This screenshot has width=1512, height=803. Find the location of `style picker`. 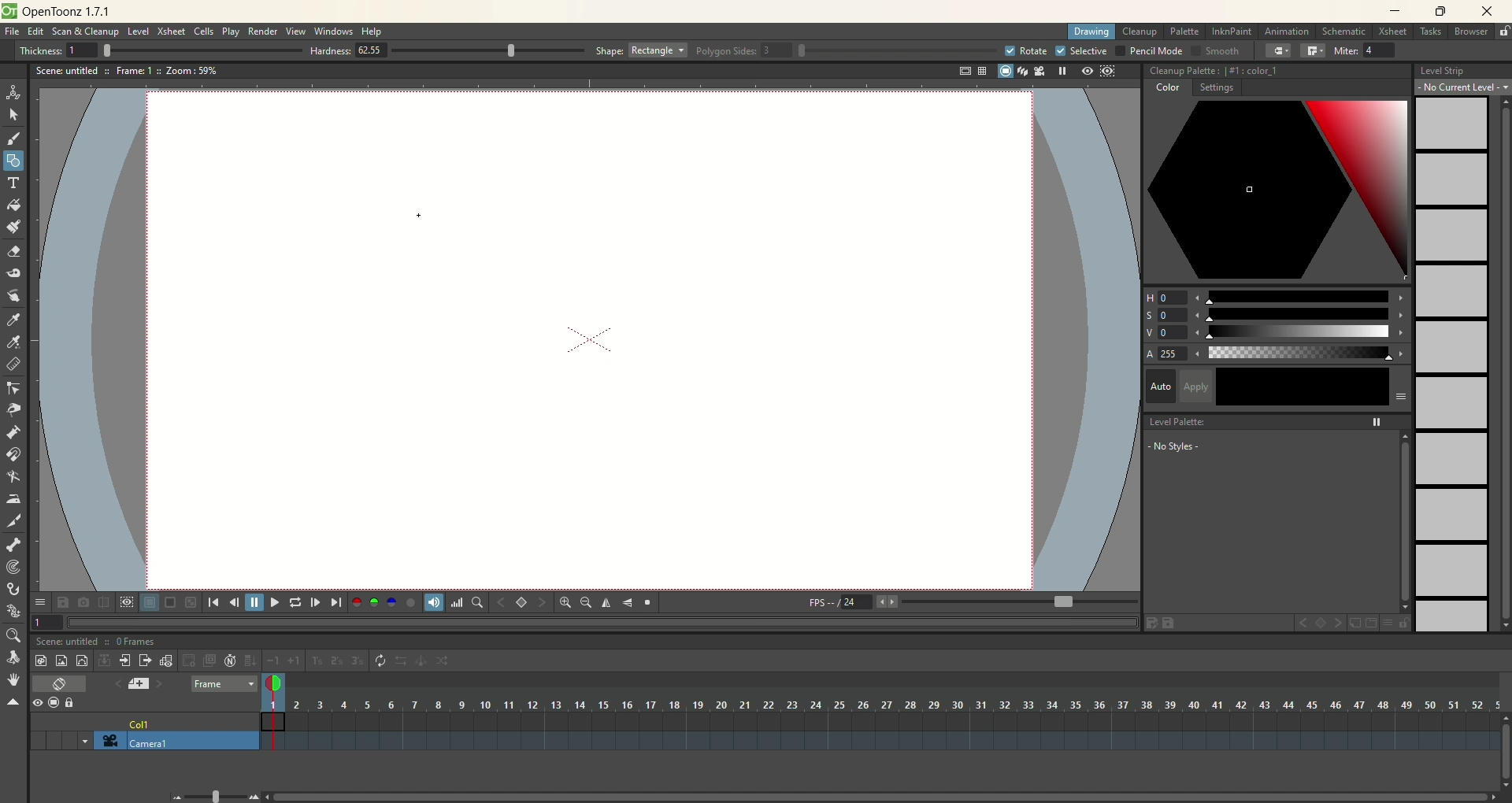

style picker is located at coordinates (17, 320).